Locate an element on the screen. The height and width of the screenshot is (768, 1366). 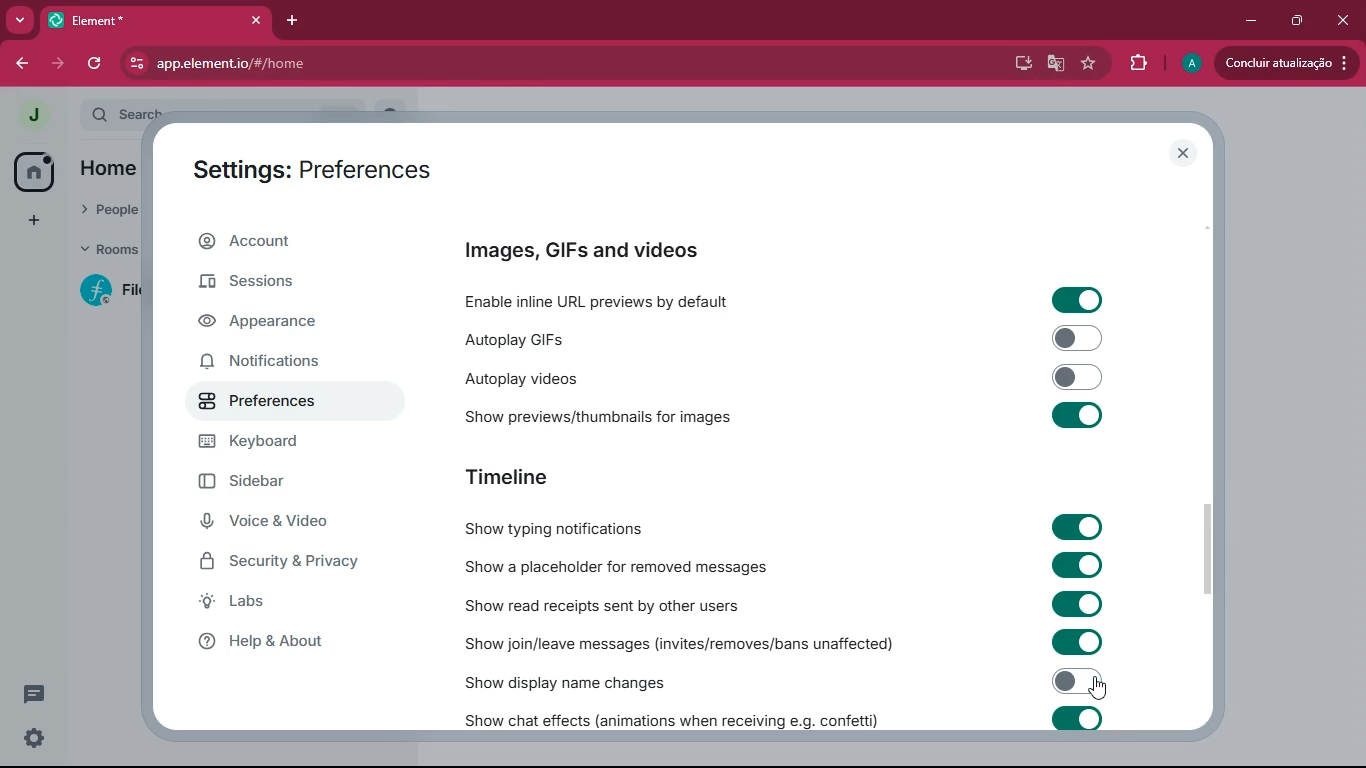
sidebar is located at coordinates (260, 481).